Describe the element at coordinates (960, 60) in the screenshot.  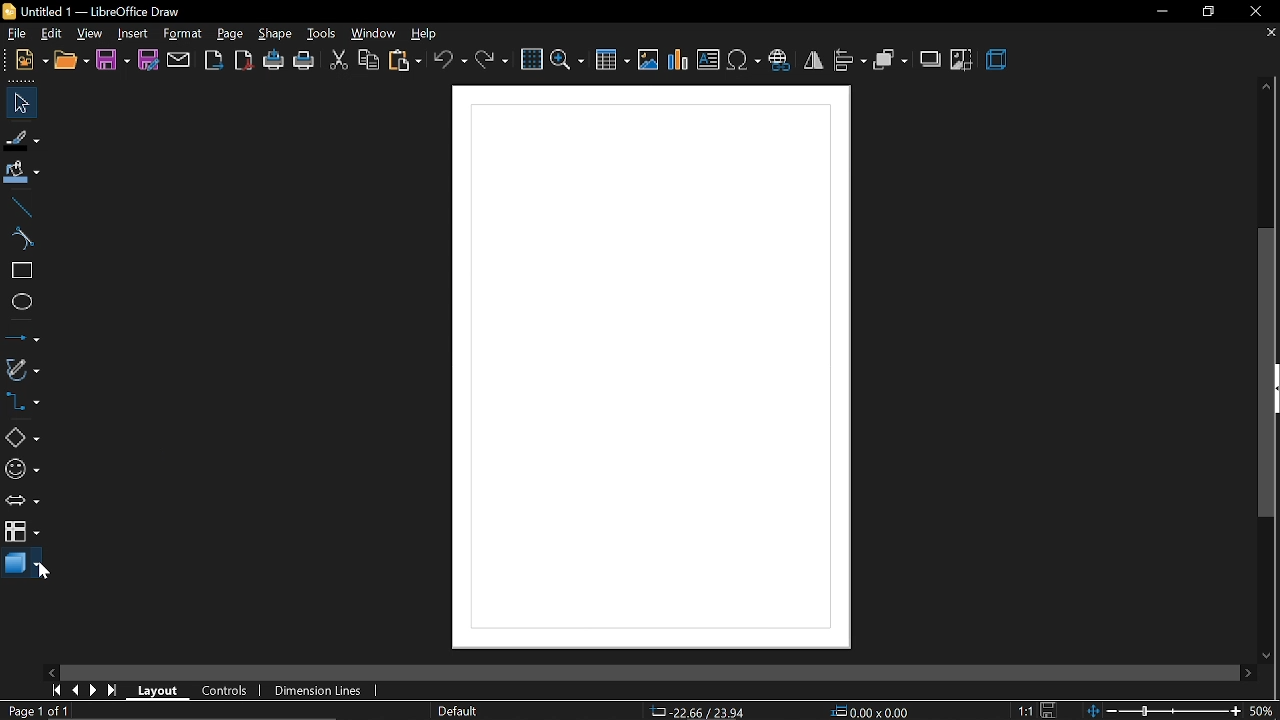
I see `crop` at that location.